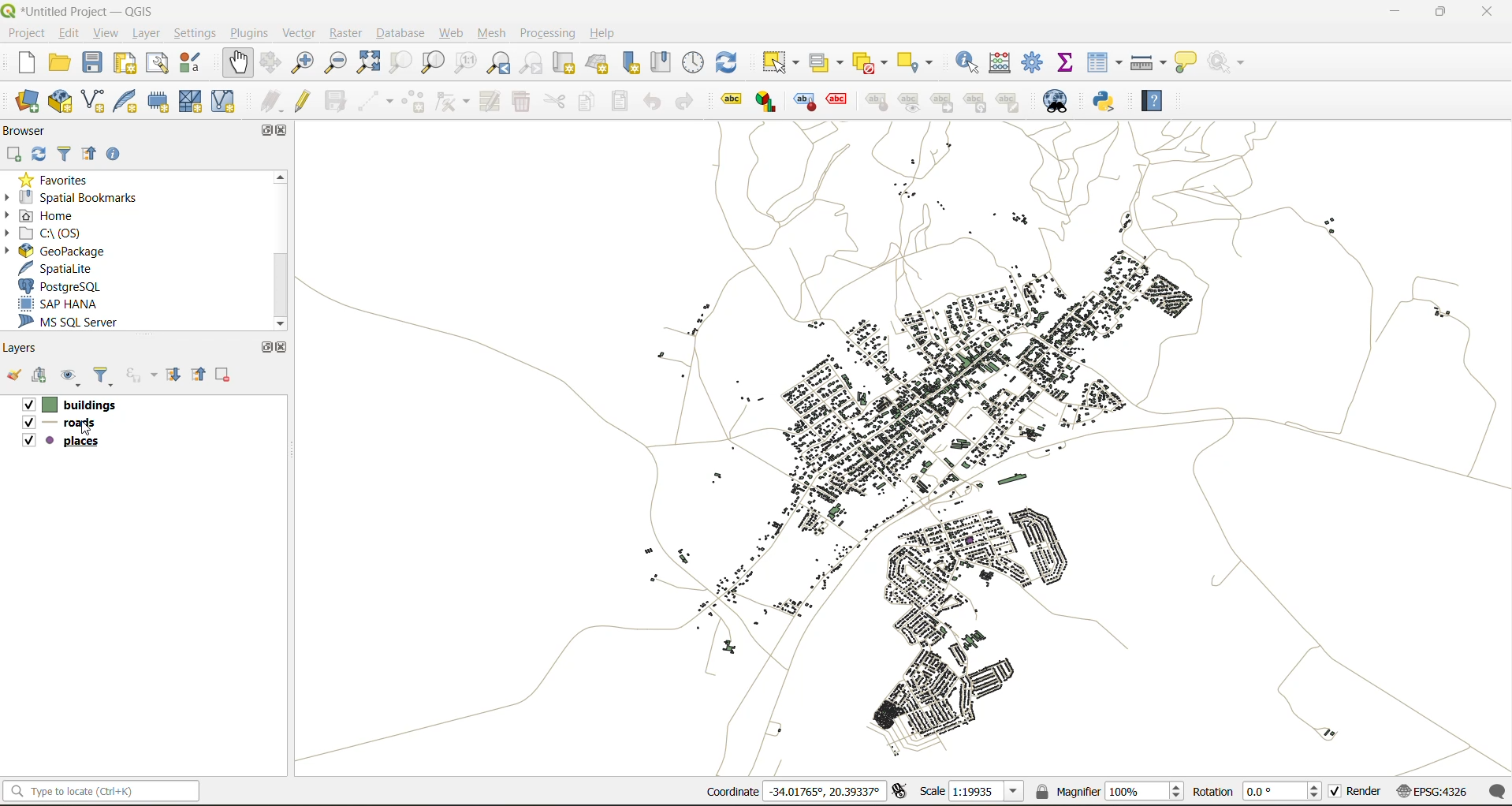 The image size is (1512, 806). Describe the element at coordinates (519, 100) in the screenshot. I see `delete` at that location.